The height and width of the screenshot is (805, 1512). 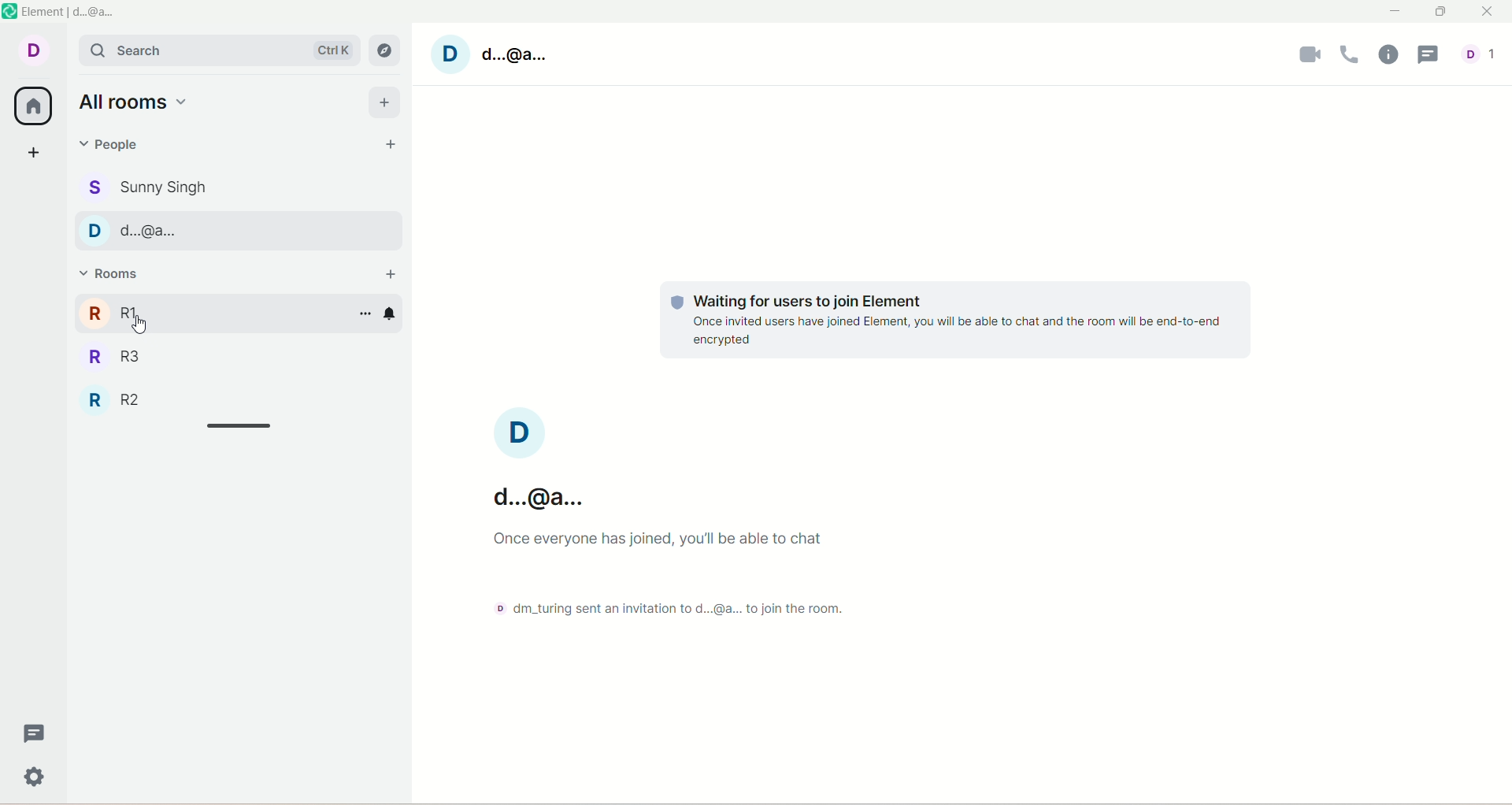 What do you see at coordinates (1429, 54) in the screenshot?
I see `threads` at bounding box center [1429, 54].